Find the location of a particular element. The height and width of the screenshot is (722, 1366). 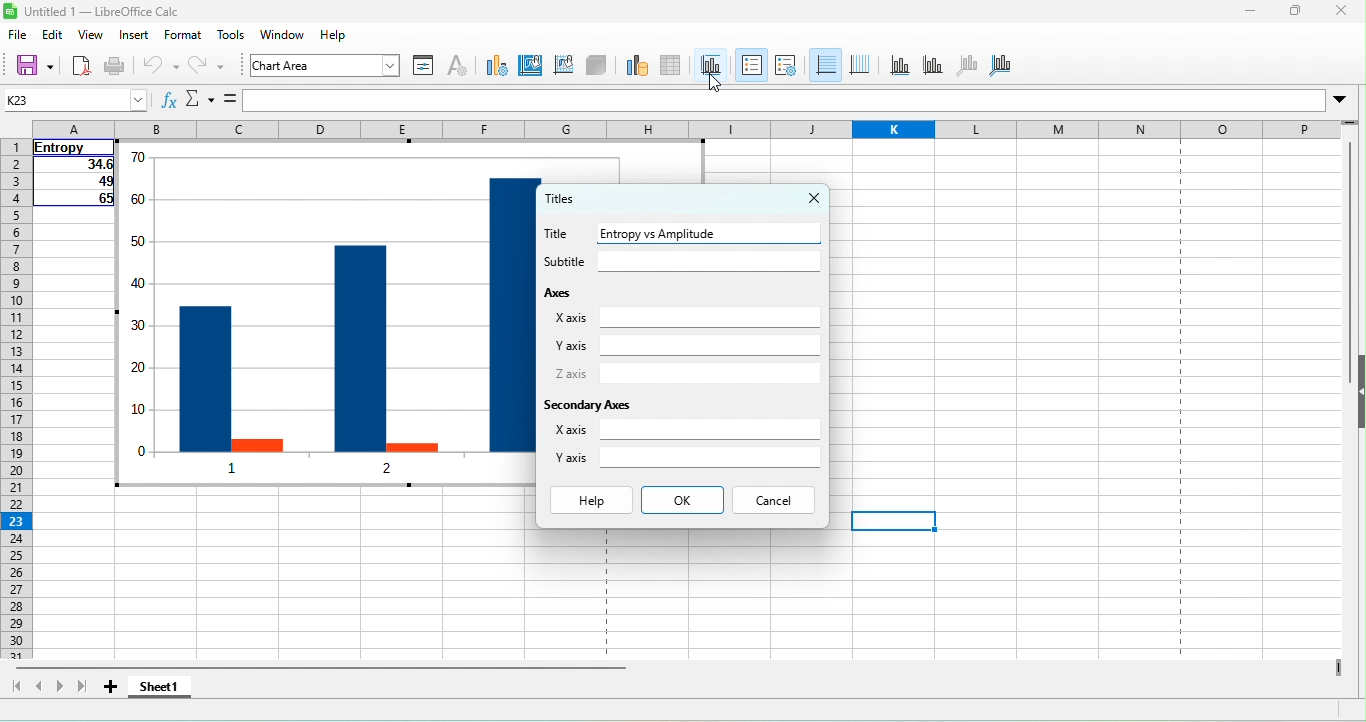

scroll to last sheet is located at coordinates (82, 687).